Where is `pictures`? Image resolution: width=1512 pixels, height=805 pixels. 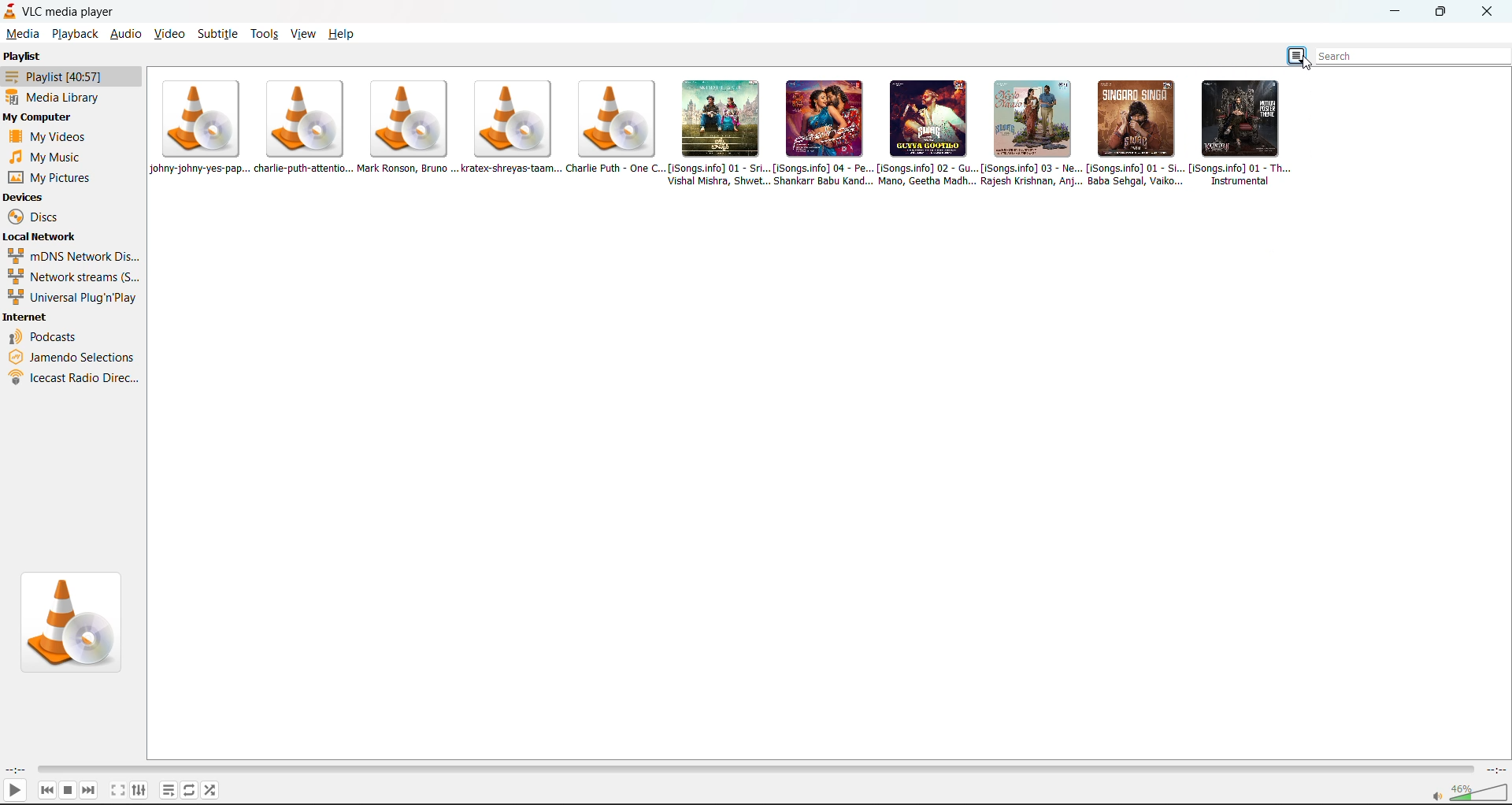
pictures is located at coordinates (56, 180).